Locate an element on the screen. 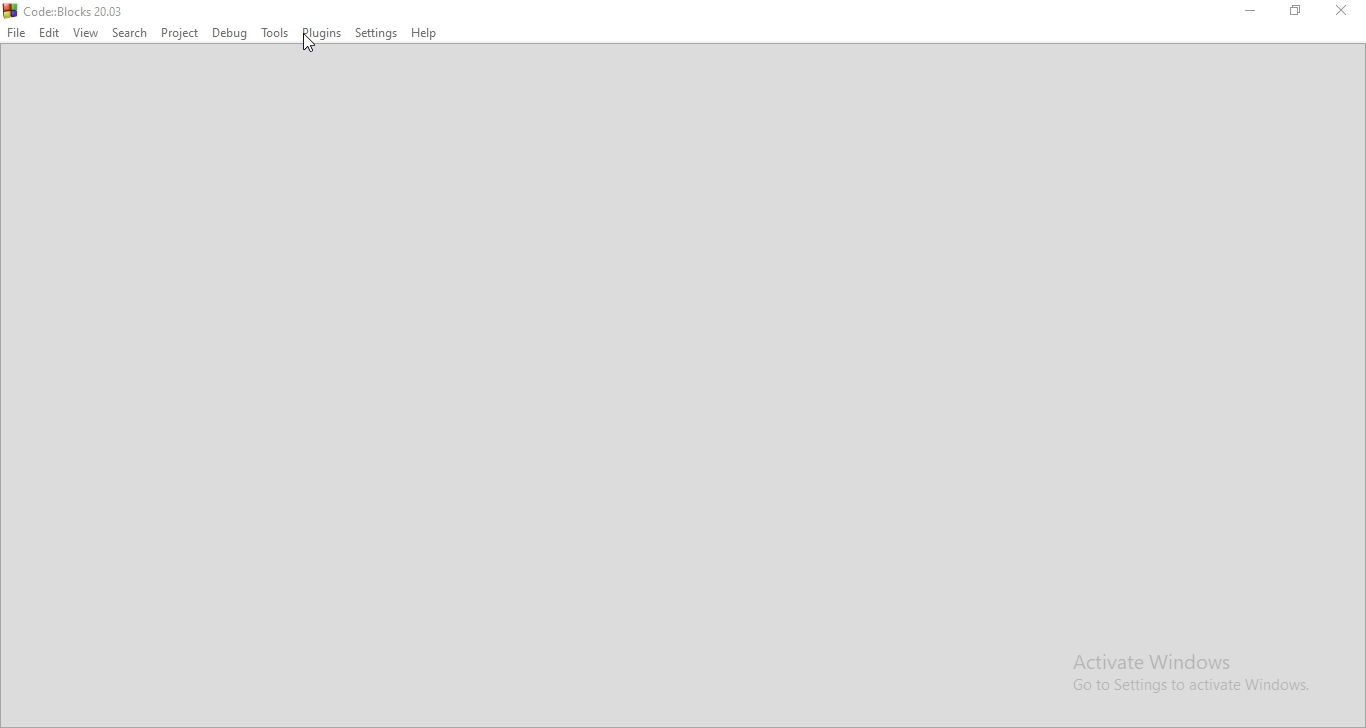 Image resolution: width=1366 pixels, height=728 pixels. Debug is located at coordinates (230, 34).